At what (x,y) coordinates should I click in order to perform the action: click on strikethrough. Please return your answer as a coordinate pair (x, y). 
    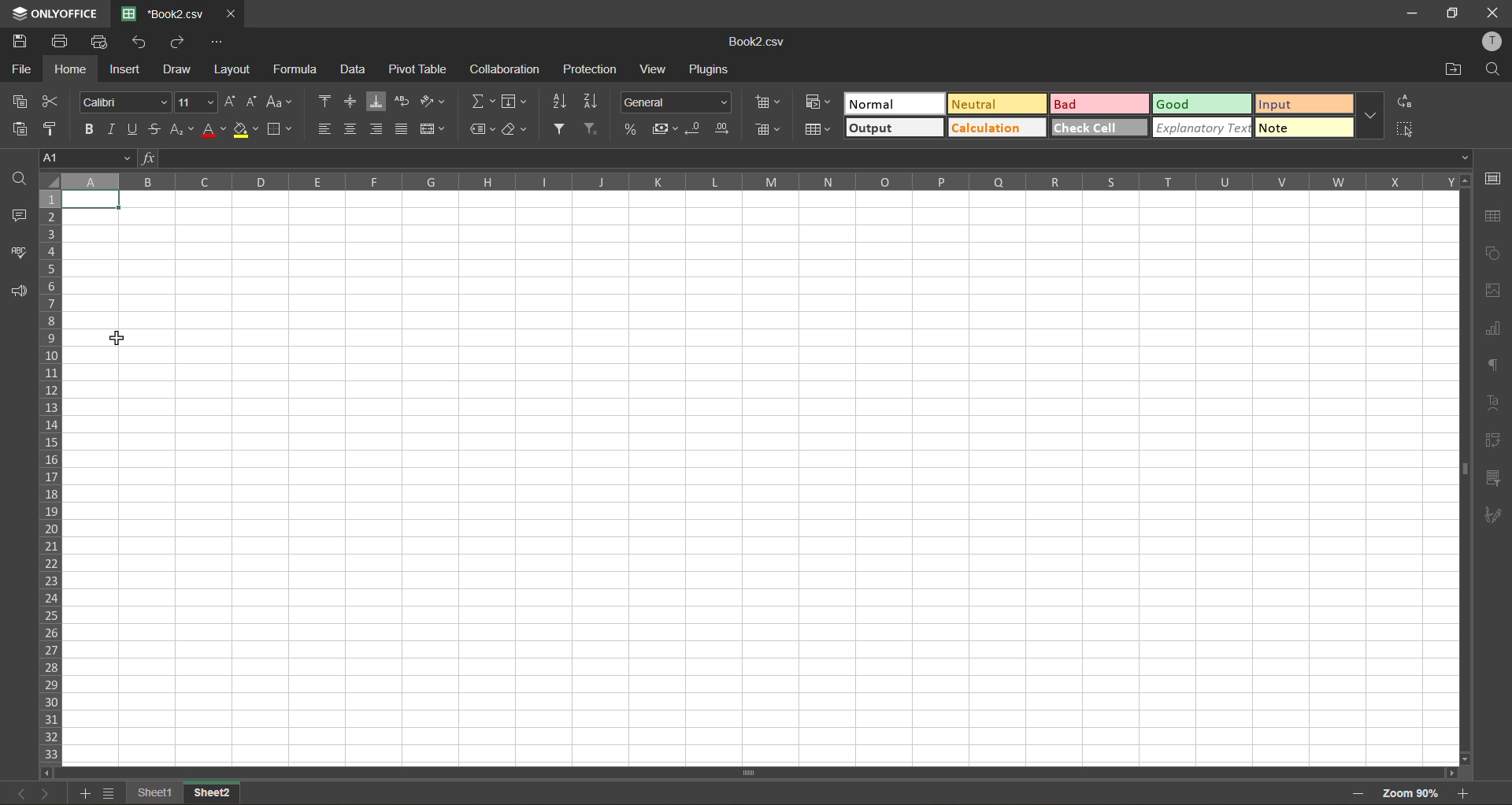
    Looking at the image, I should click on (154, 130).